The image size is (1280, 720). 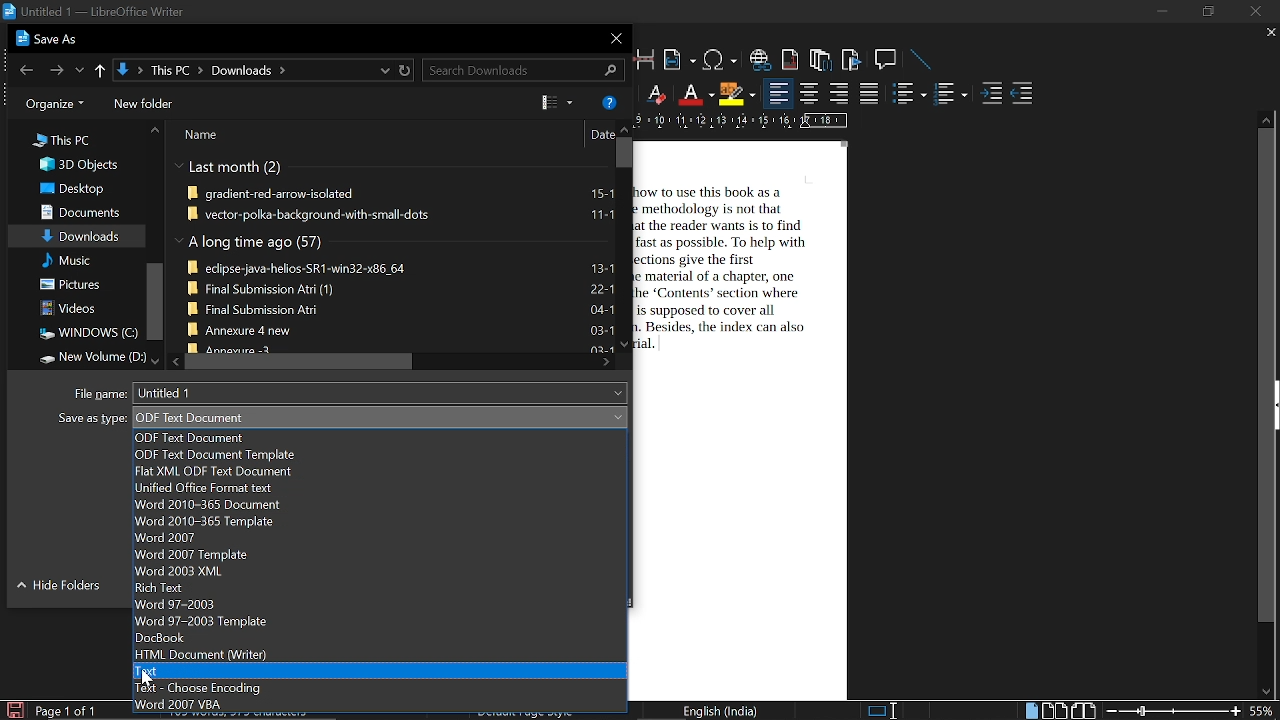 What do you see at coordinates (144, 104) in the screenshot?
I see `folders` at bounding box center [144, 104].